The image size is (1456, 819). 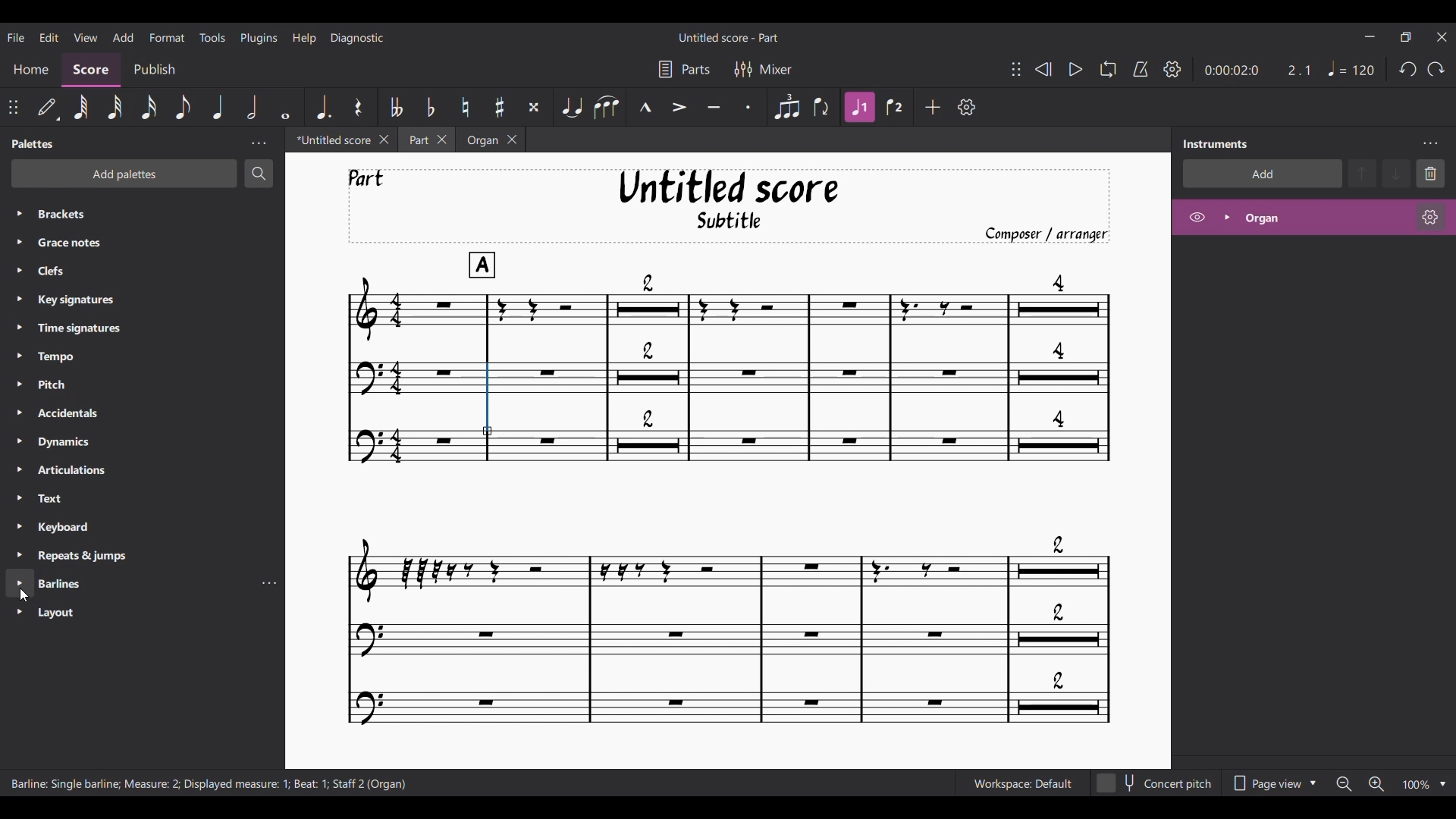 I want to click on Quater note, so click(x=218, y=106).